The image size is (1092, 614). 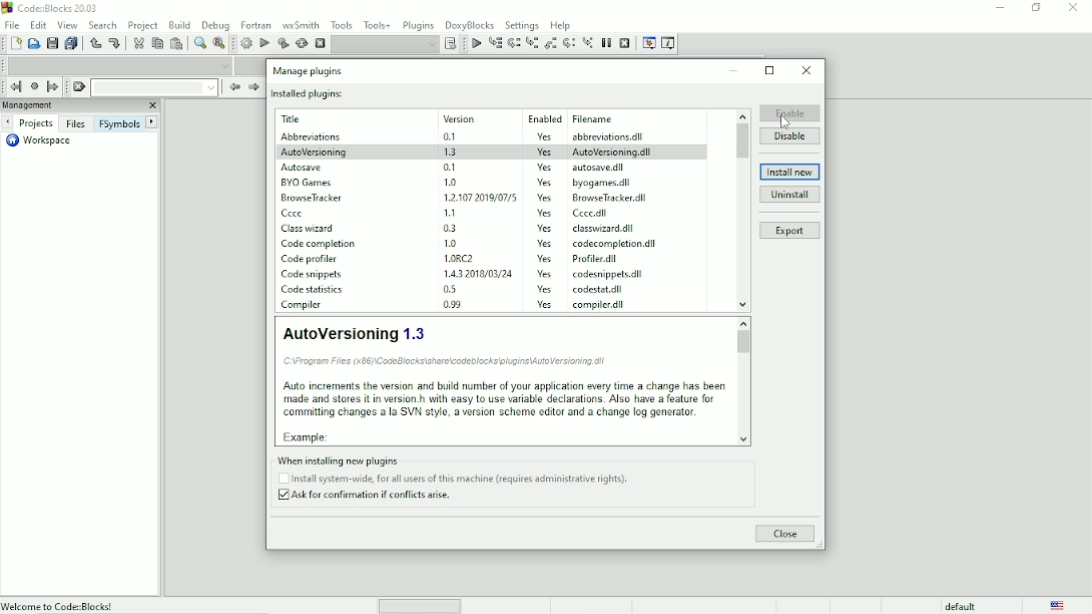 I want to click on Save everything, so click(x=73, y=43).